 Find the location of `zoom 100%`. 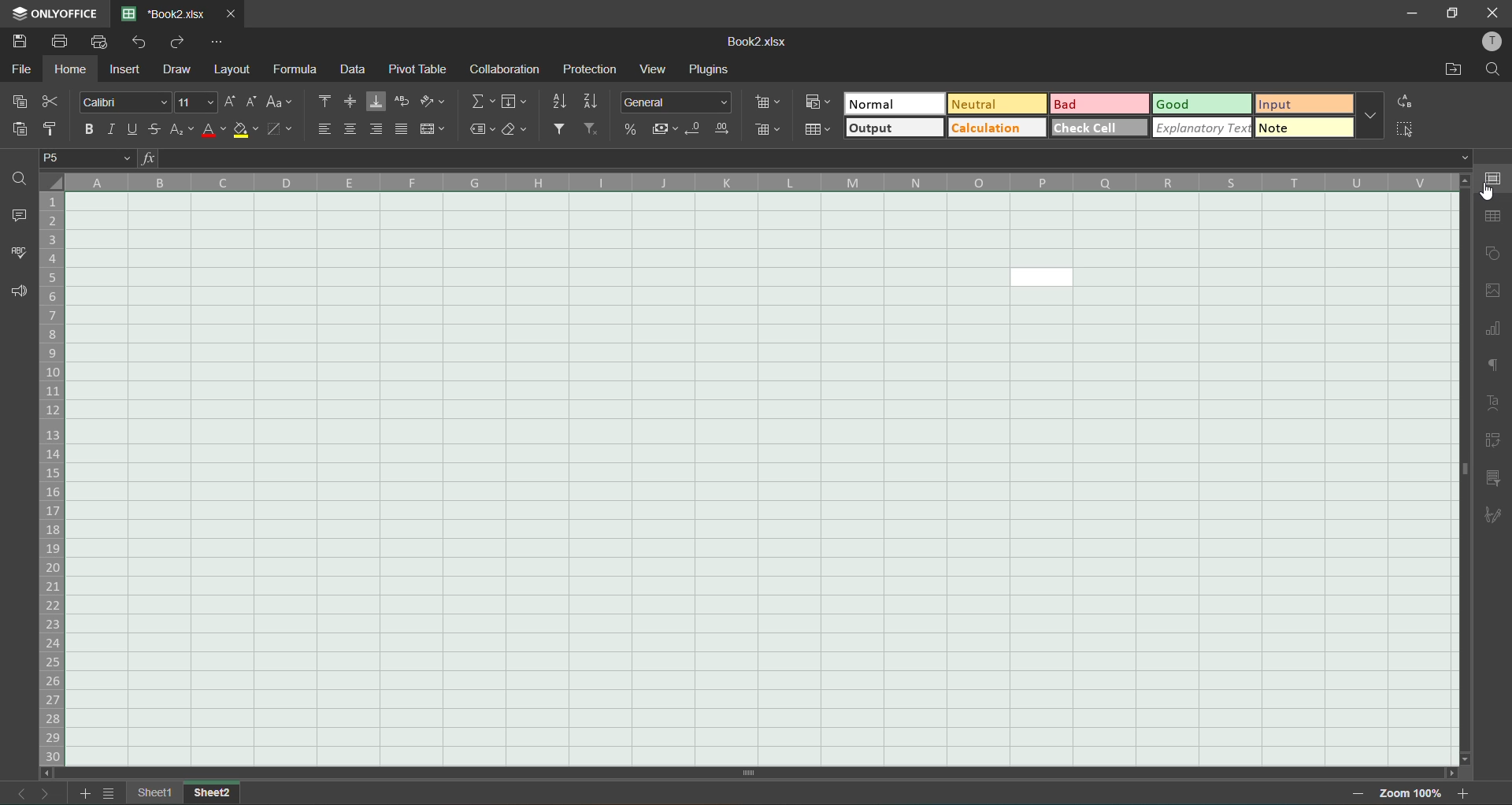

zoom 100% is located at coordinates (1410, 793).